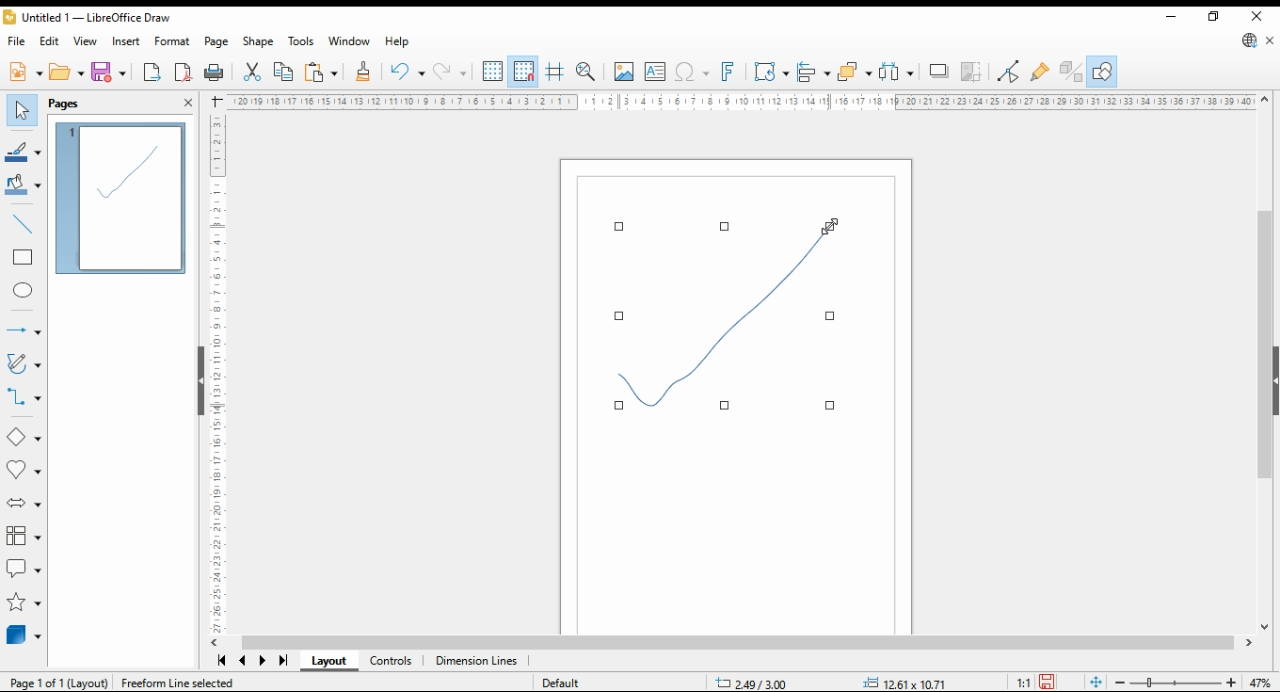  Describe the element at coordinates (285, 71) in the screenshot. I see `copy` at that location.